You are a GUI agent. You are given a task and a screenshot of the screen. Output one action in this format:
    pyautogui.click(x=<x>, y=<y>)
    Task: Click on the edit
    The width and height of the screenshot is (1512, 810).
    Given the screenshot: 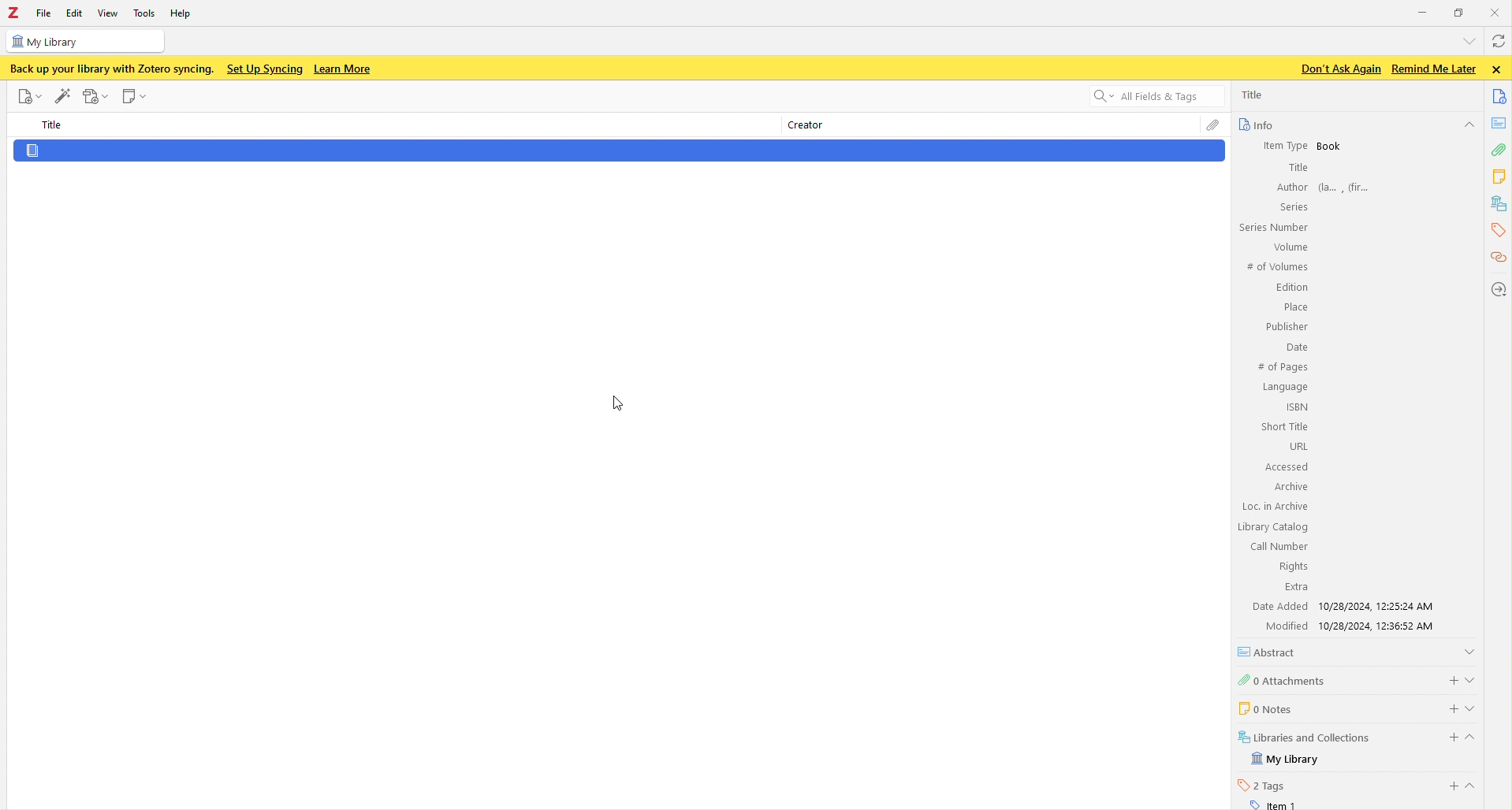 What is the action you would take?
    pyautogui.click(x=62, y=94)
    